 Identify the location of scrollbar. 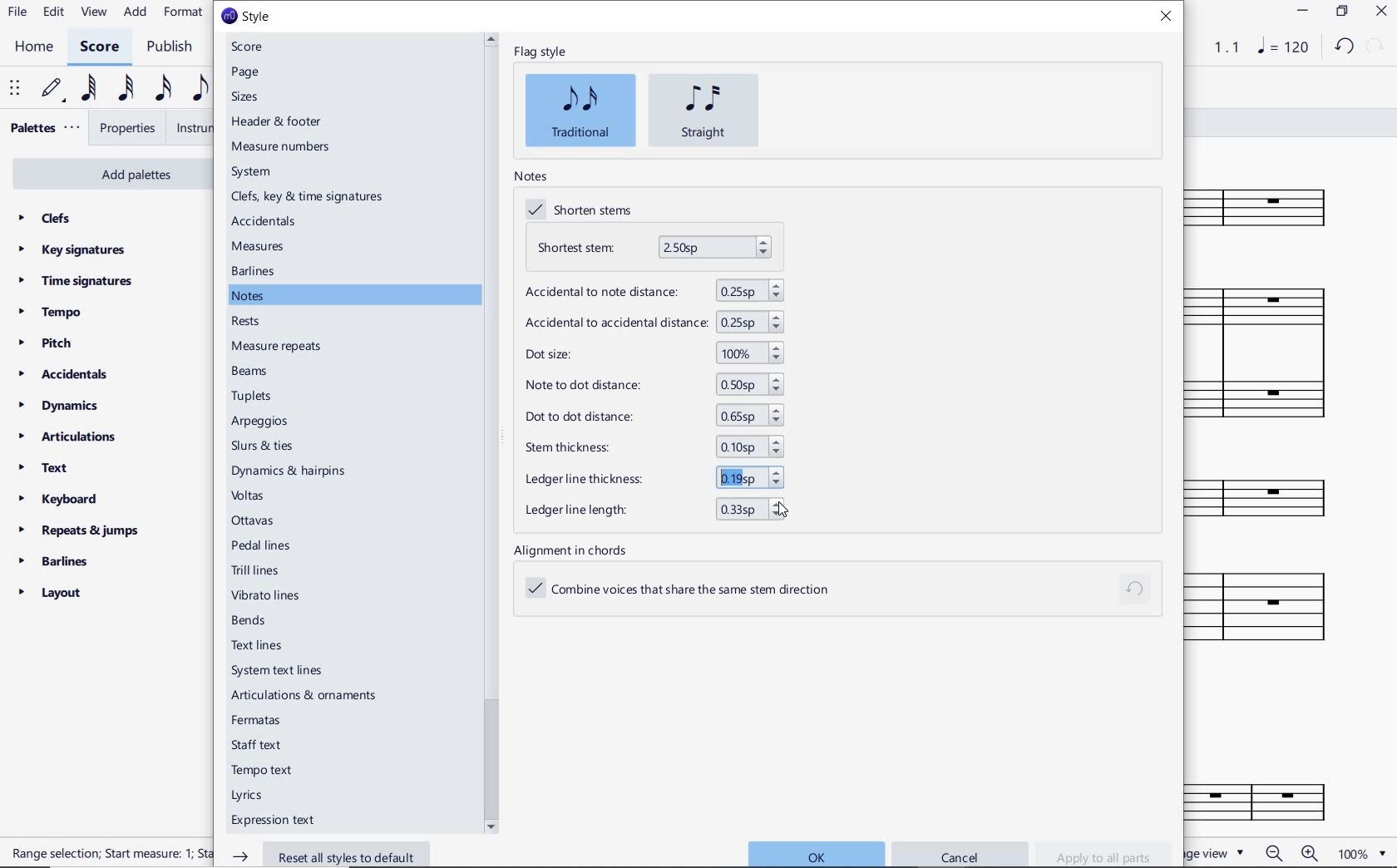
(491, 432).